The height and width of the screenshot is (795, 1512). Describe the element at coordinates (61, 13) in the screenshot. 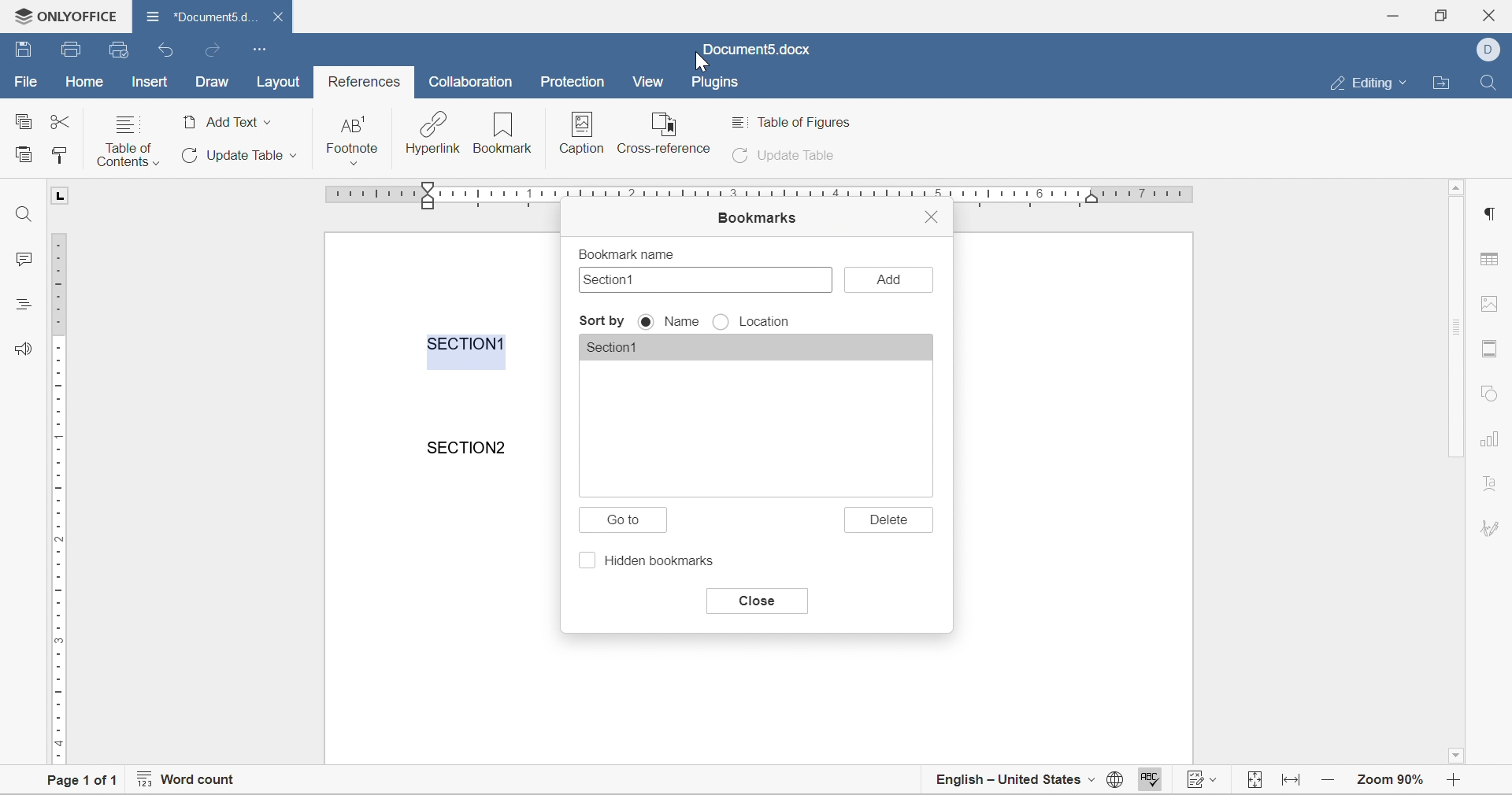

I see `ONLYOFFICE` at that location.